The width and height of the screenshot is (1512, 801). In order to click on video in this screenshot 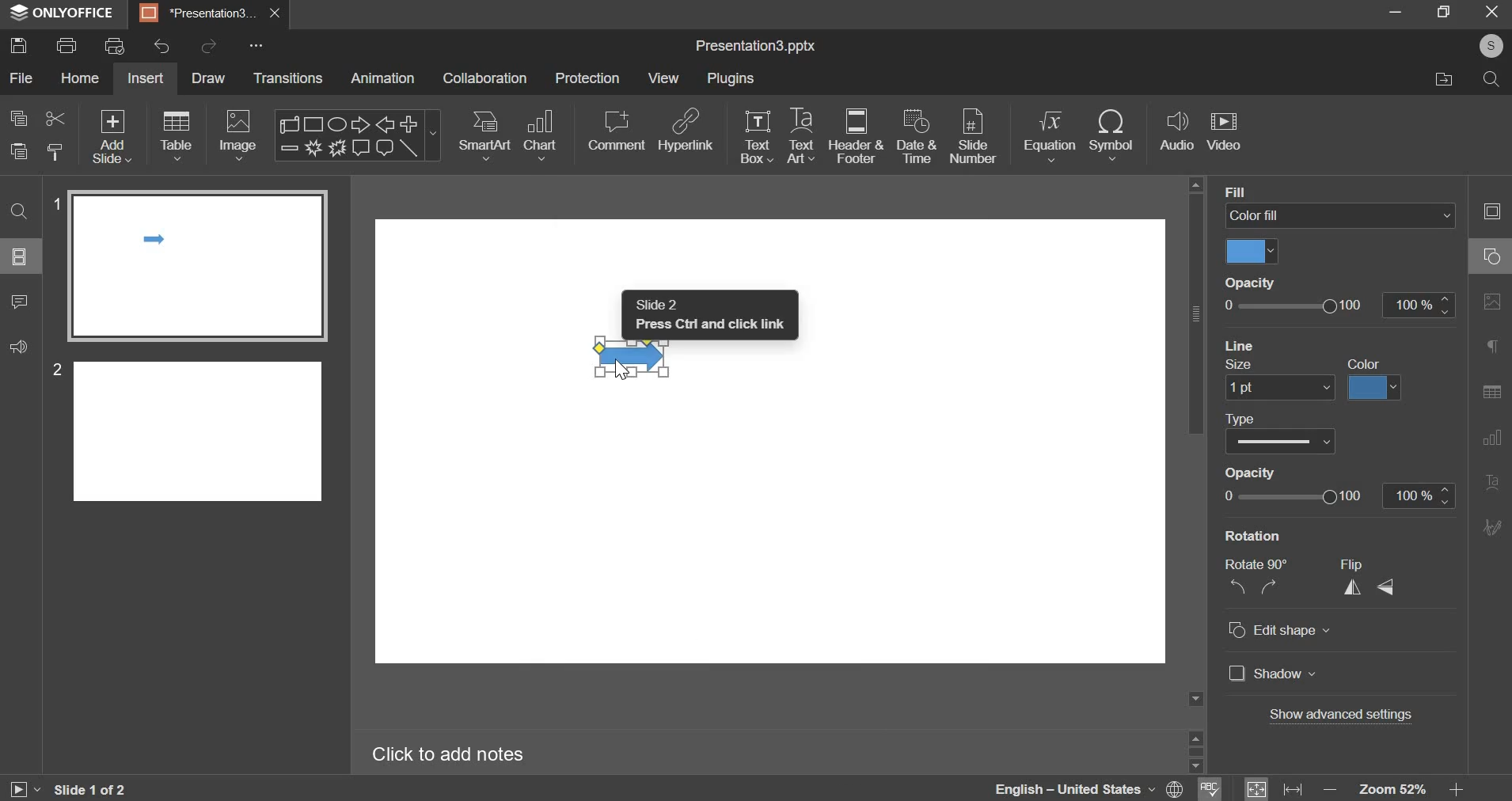, I will do `click(1224, 133)`.